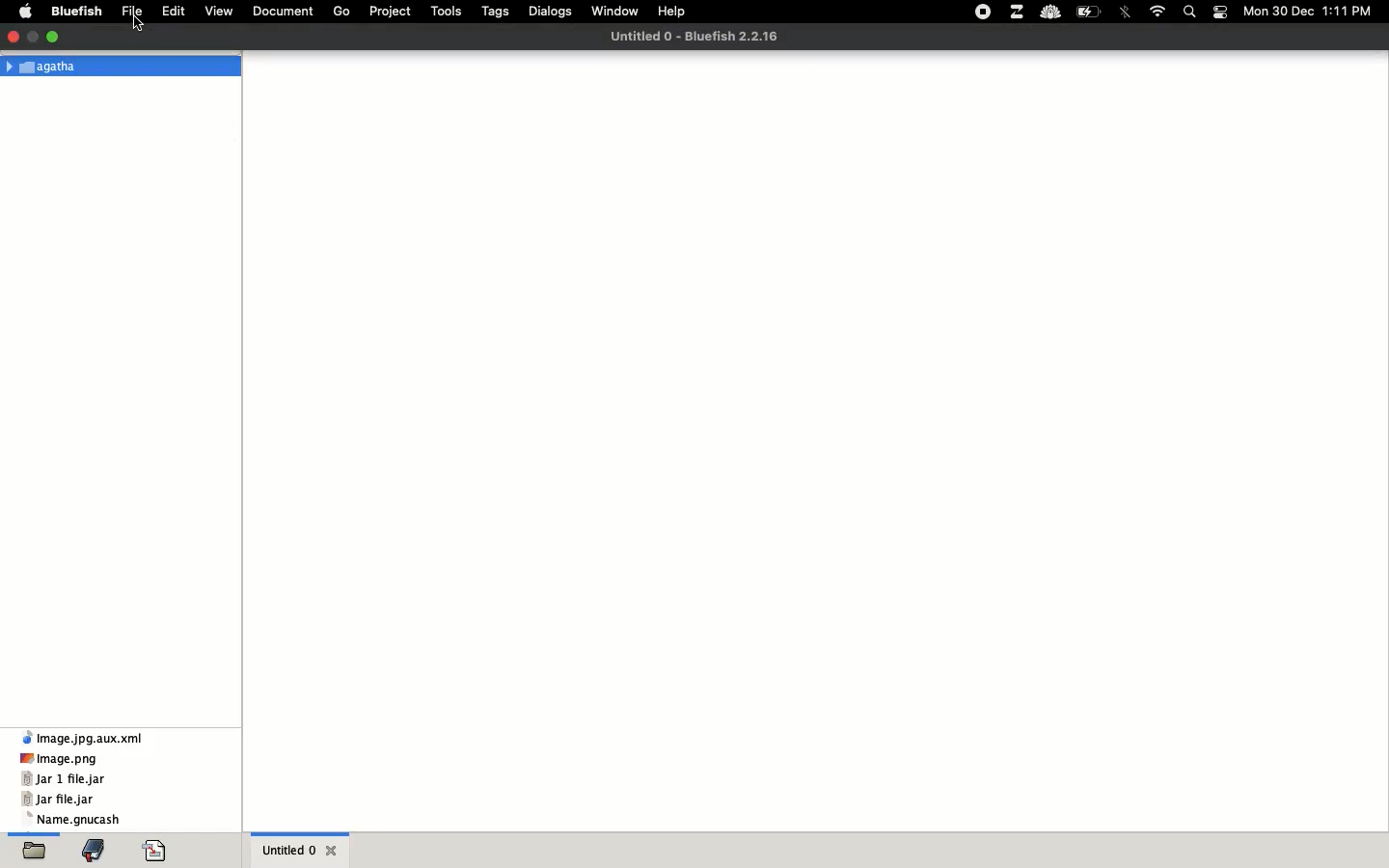 The width and height of the screenshot is (1389, 868). Describe the element at coordinates (1052, 13) in the screenshot. I see `cold turkey blocker` at that location.